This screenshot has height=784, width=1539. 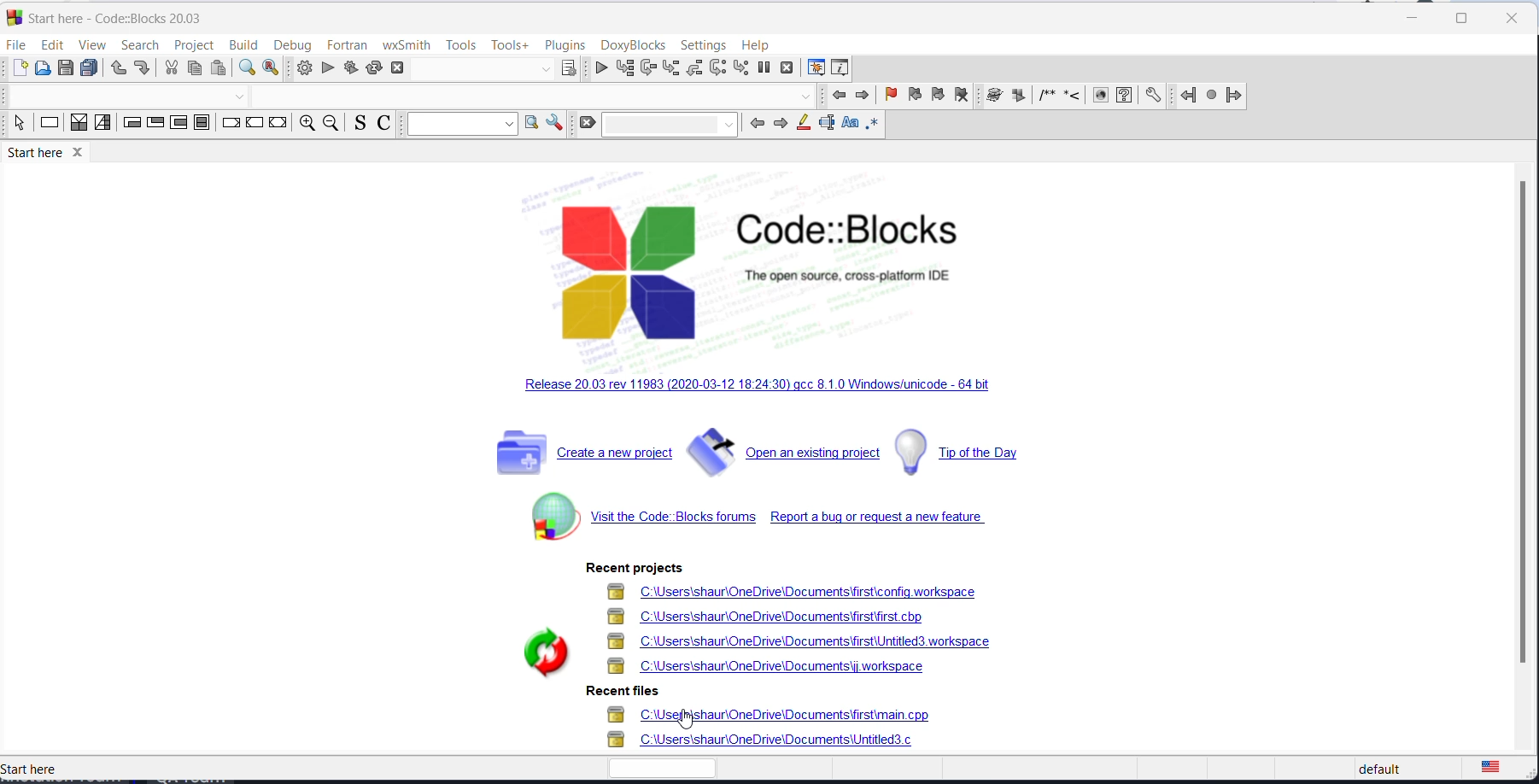 What do you see at coordinates (993, 97) in the screenshot?
I see `icon` at bounding box center [993, 97].